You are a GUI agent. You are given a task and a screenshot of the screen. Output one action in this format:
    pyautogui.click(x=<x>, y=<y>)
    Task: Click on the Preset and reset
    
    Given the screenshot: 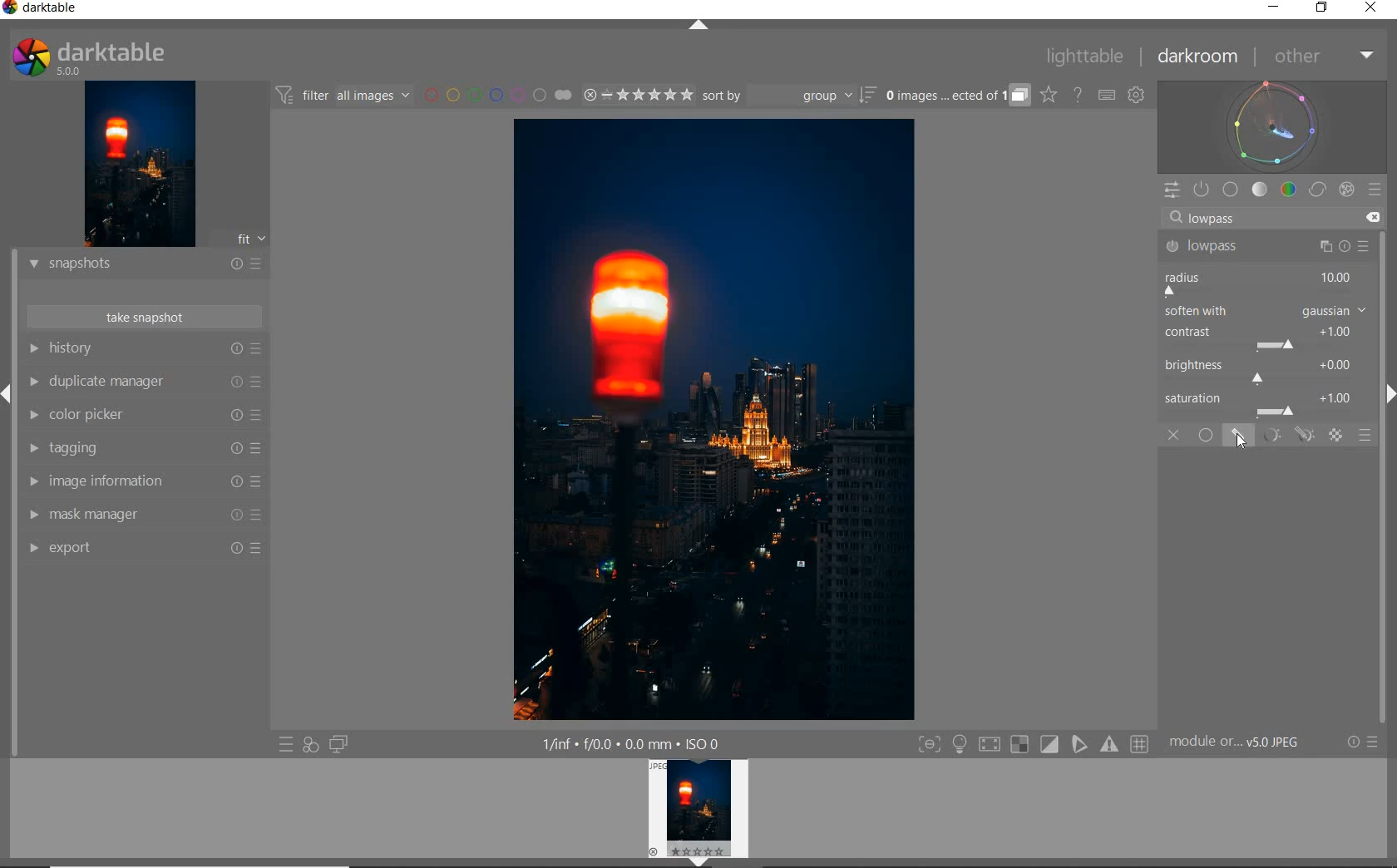 What is the action you would take?
    pyautogui.click(x=1326, y=248)
    